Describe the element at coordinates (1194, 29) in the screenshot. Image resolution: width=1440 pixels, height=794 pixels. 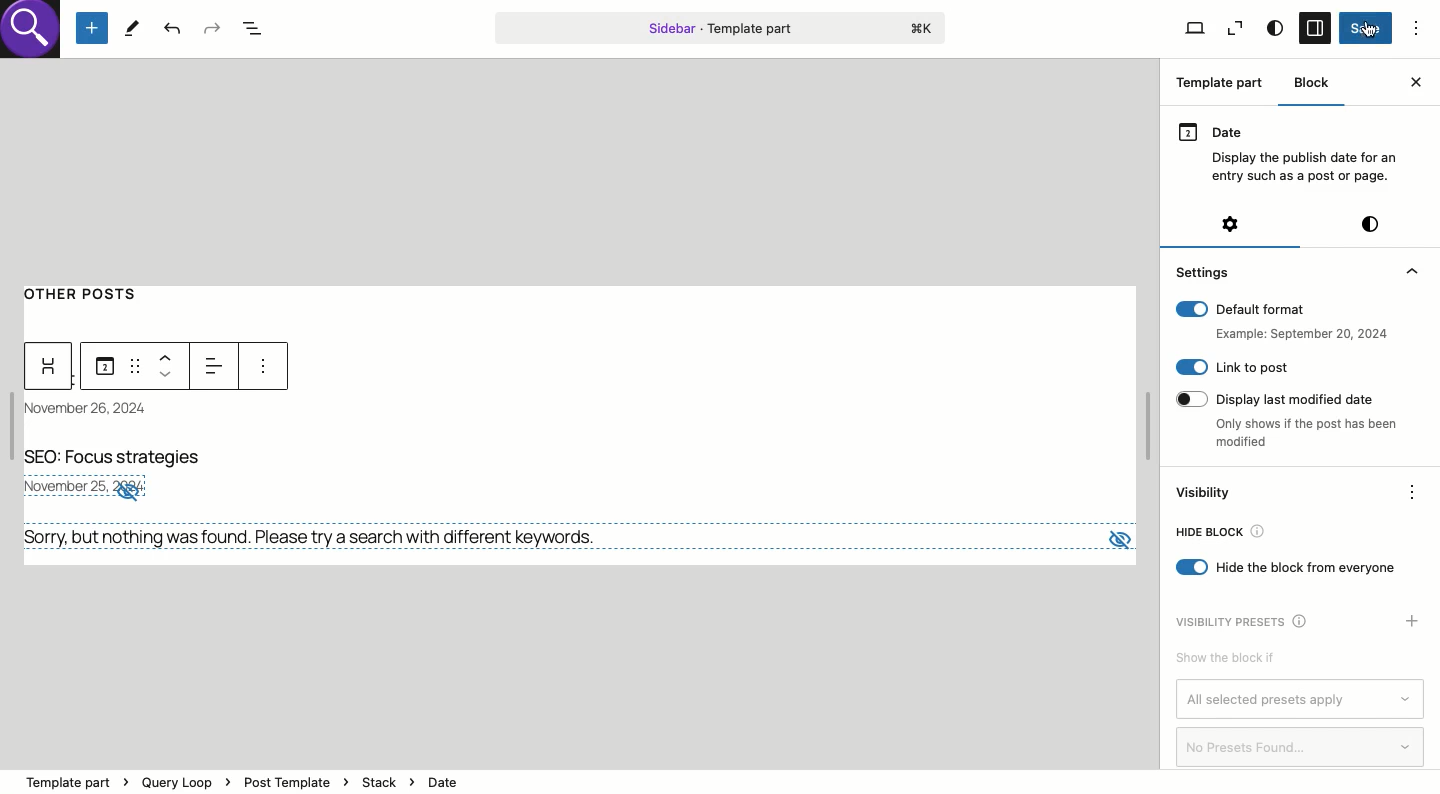
I see `View` at that location.